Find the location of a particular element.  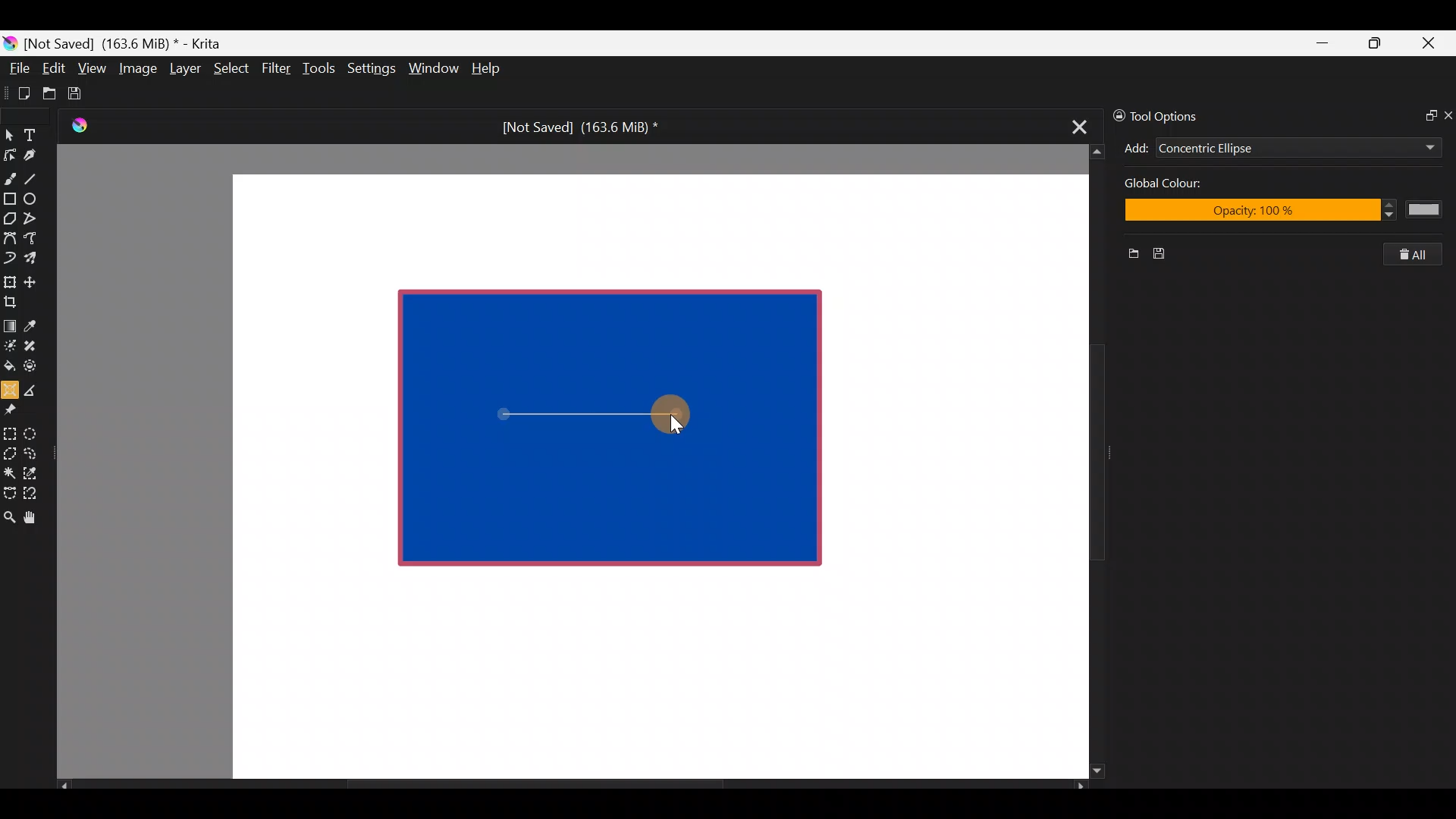

[Not Saved] (163.6 MiB) * is located at coordinates (574, 127).